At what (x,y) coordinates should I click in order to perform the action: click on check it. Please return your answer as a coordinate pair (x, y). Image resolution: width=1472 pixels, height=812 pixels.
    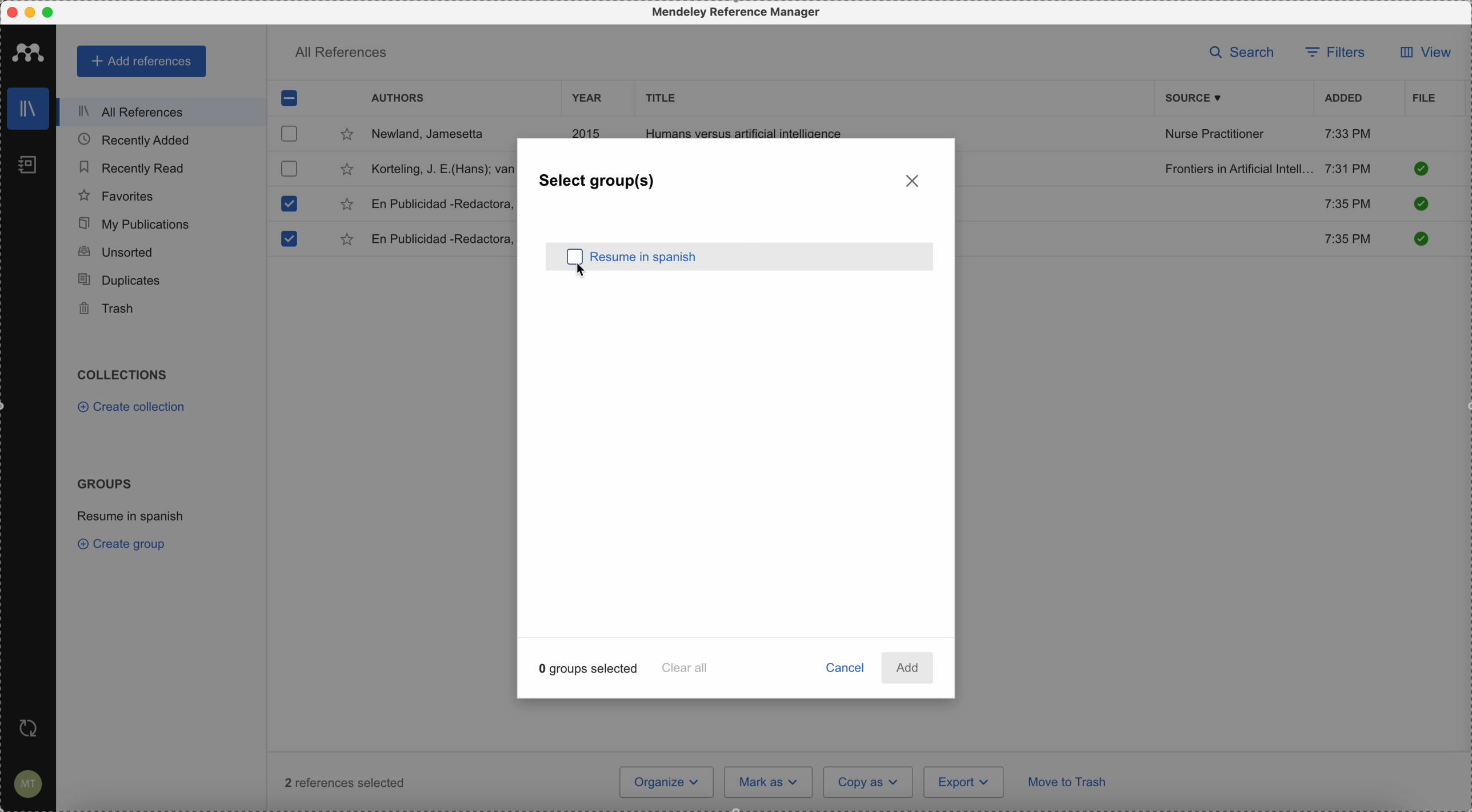
    Looking at the image, I should click on (1421, 169).